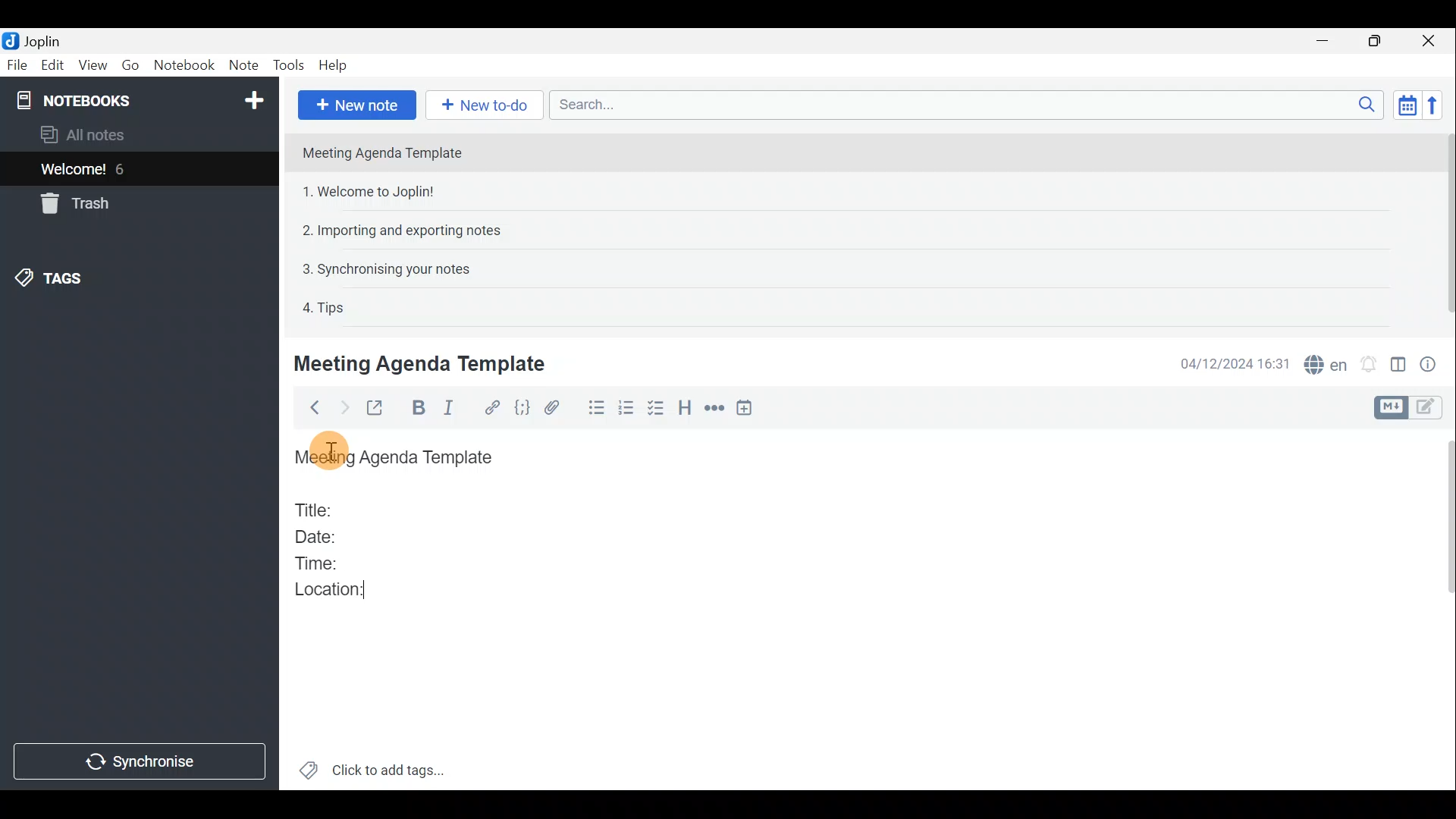  I want to click on Tools, so click(287, 63).